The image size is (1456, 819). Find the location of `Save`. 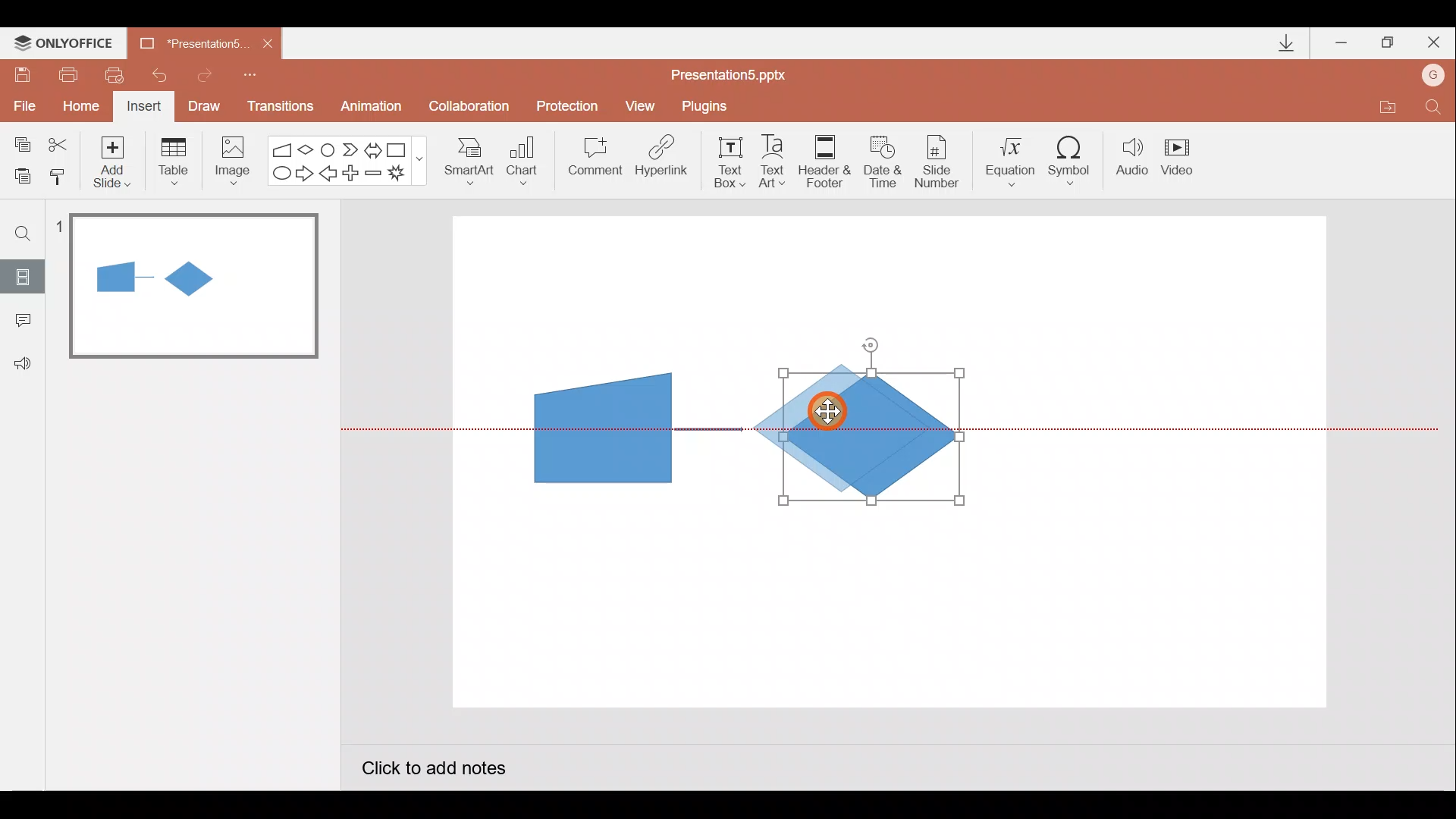

Save is located at coordinates (21, 72).